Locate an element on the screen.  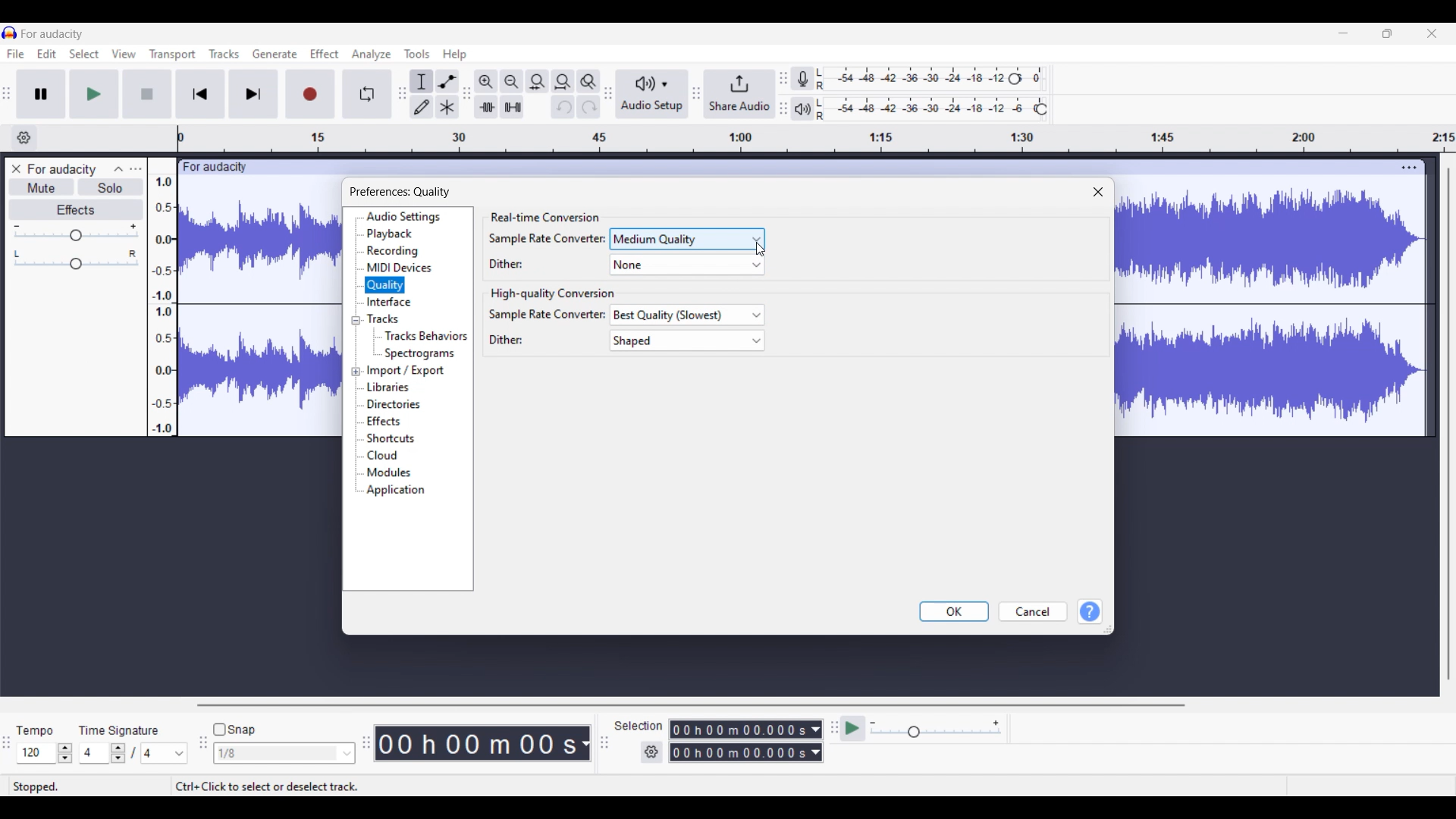
Playback is located at coordinates (390, 234).